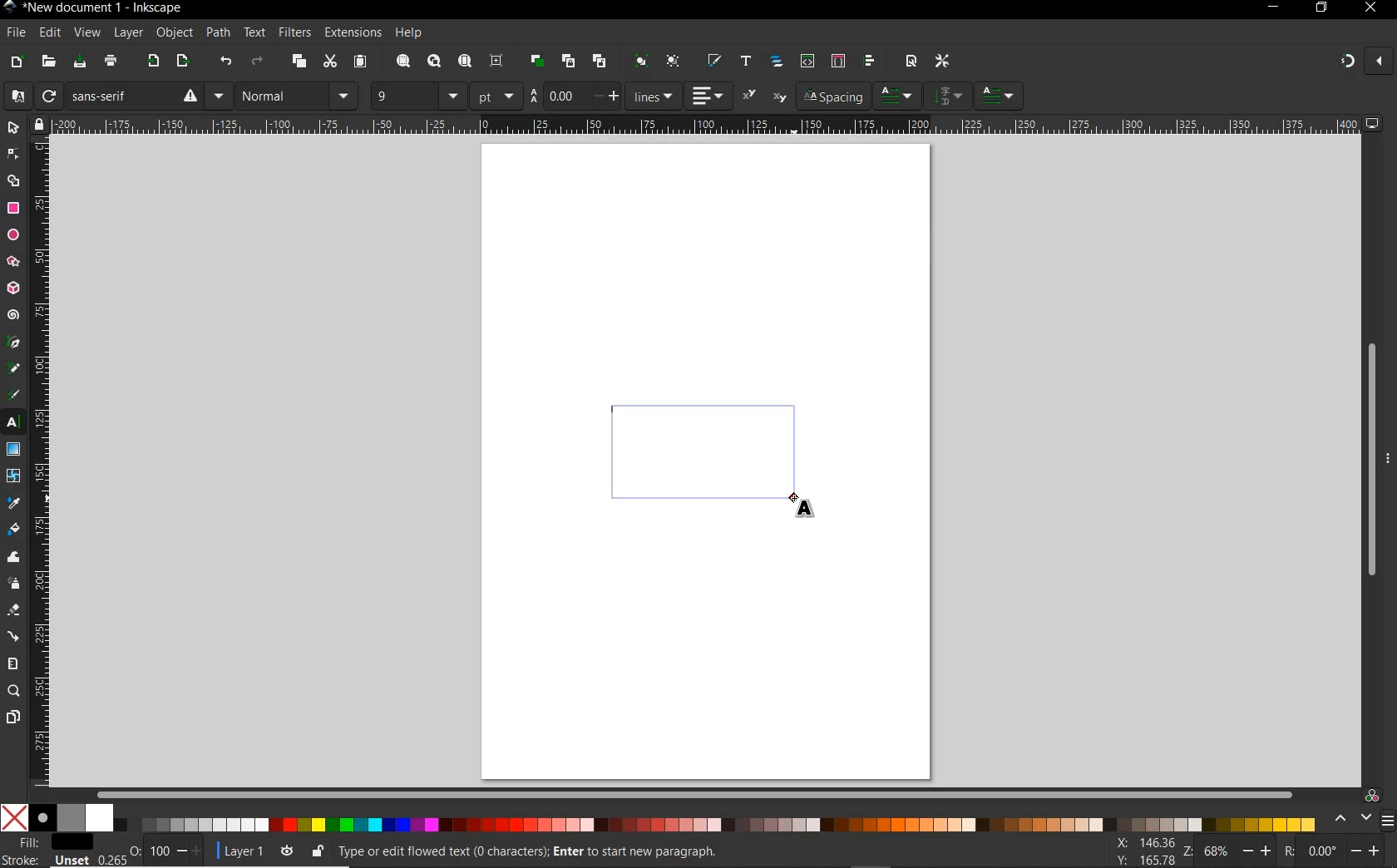  Describe the element at coordinates (360, 62) in the screenshot. I see `paste` at that location.